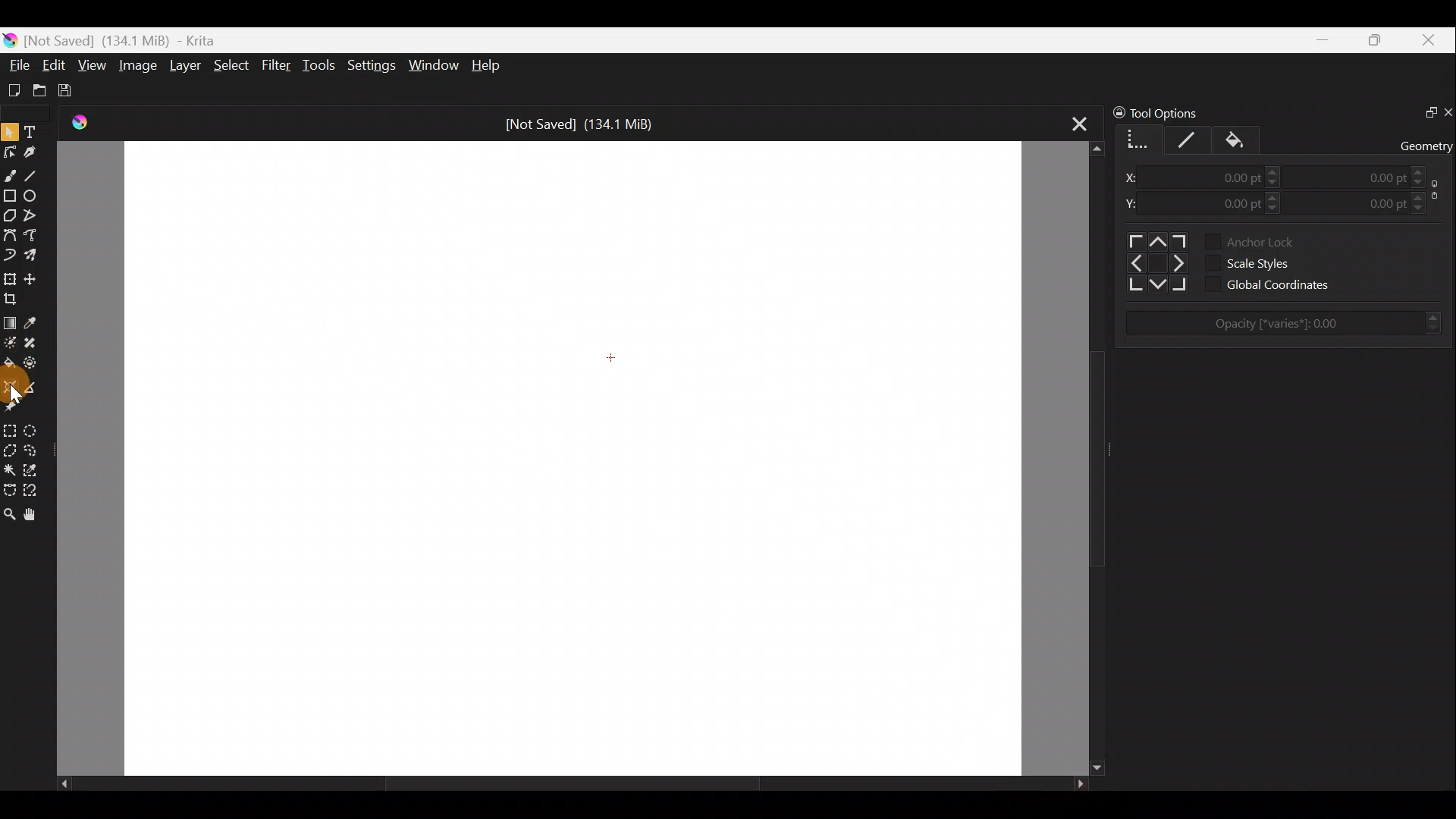 The height and width of the screenshot is (819, 1456). Describe the element at coordinates (9, 363) in the screenshot. I see `Fill a contiguous area of color with color` at that location.